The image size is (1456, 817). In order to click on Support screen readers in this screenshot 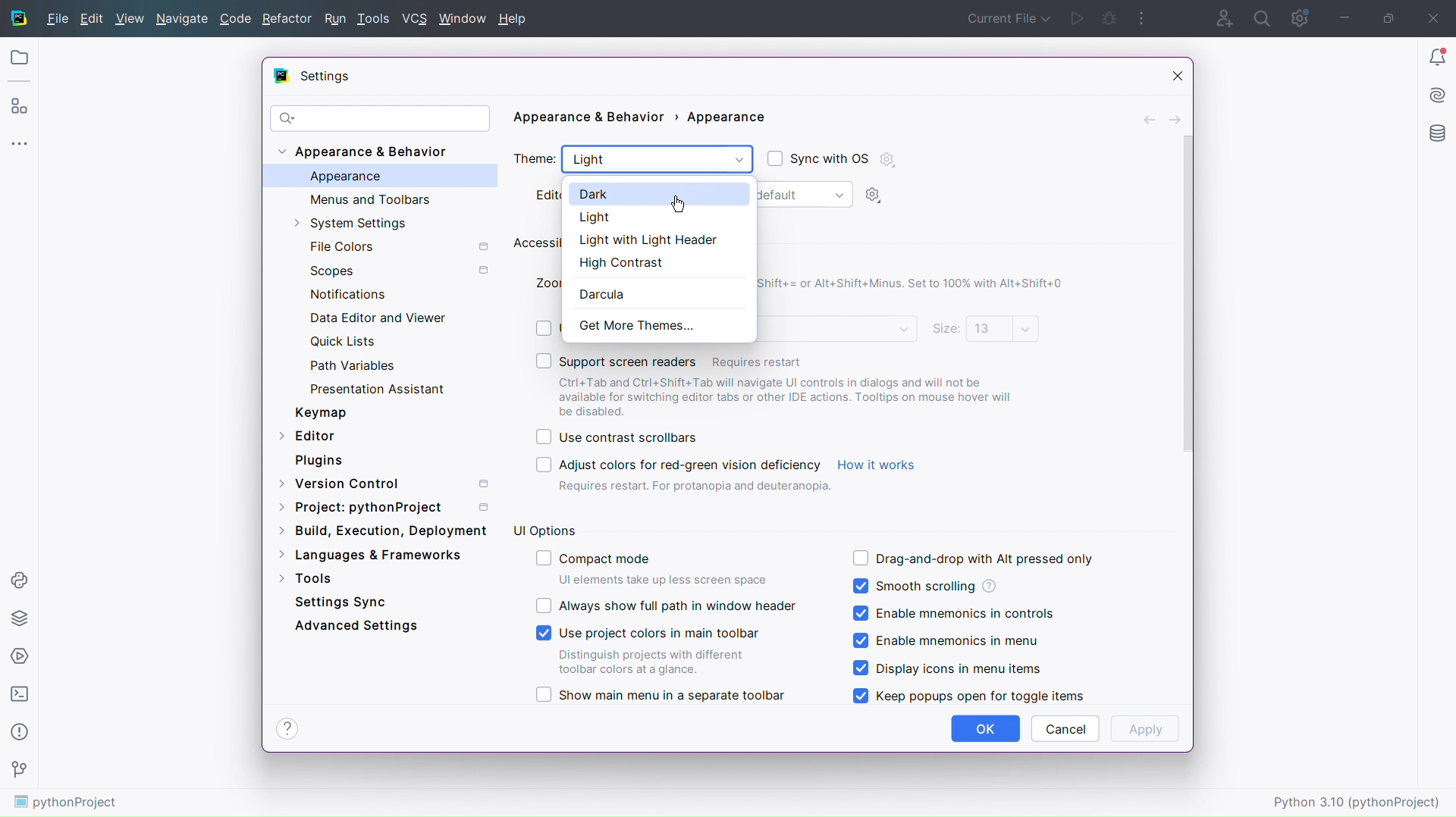, I will do `click(781, 358)`.